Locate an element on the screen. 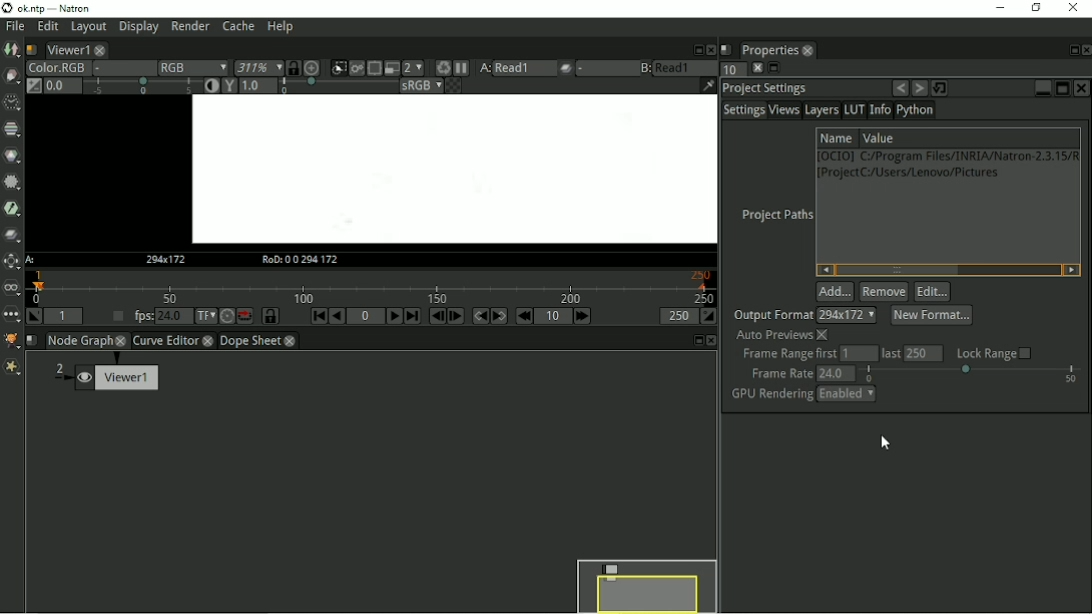 This screenshot has width=1092, height=614. Edit is located at coordinates (47, 27).